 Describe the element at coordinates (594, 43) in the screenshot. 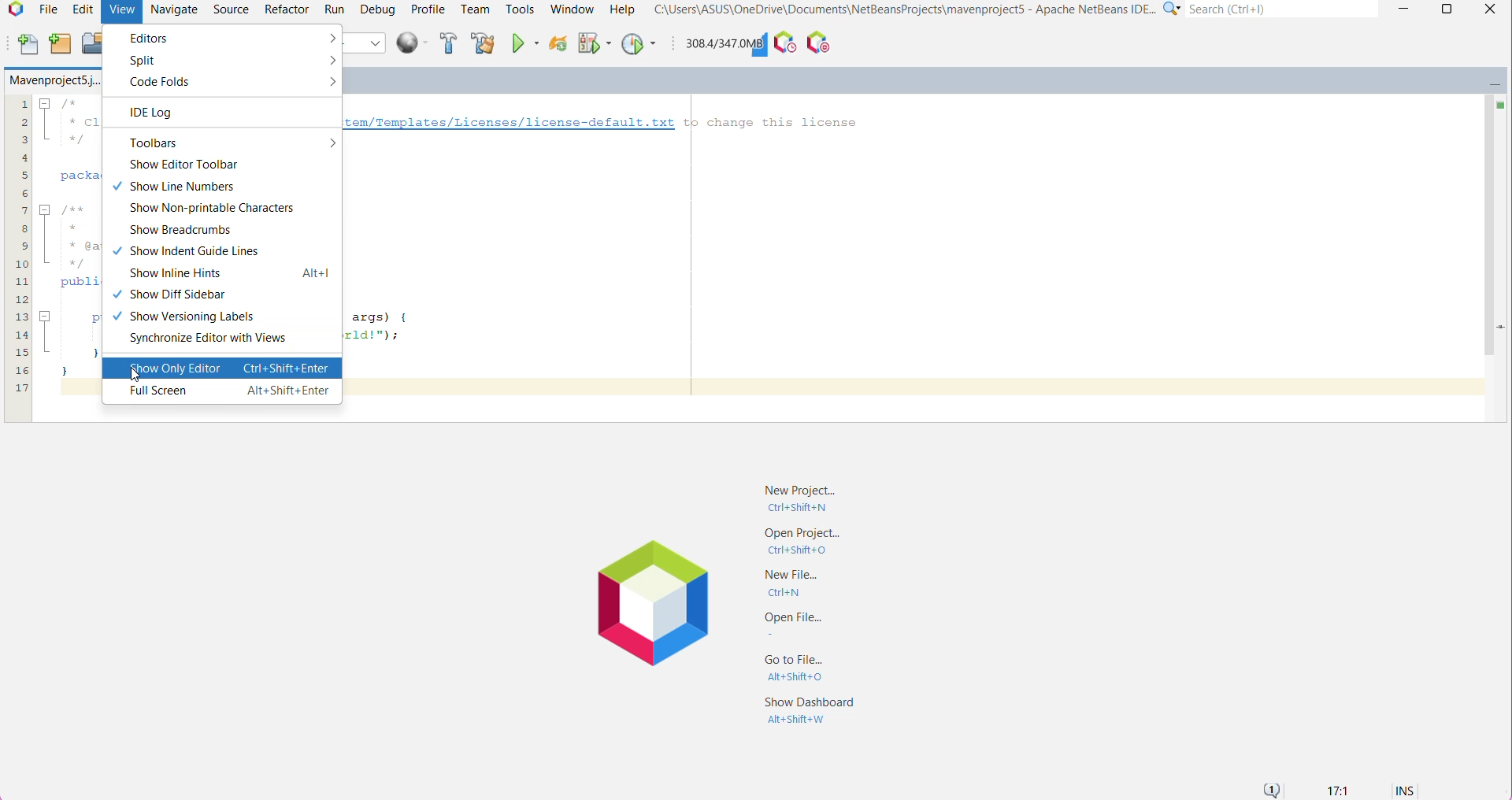

I see `Debug Main Project` at that location.